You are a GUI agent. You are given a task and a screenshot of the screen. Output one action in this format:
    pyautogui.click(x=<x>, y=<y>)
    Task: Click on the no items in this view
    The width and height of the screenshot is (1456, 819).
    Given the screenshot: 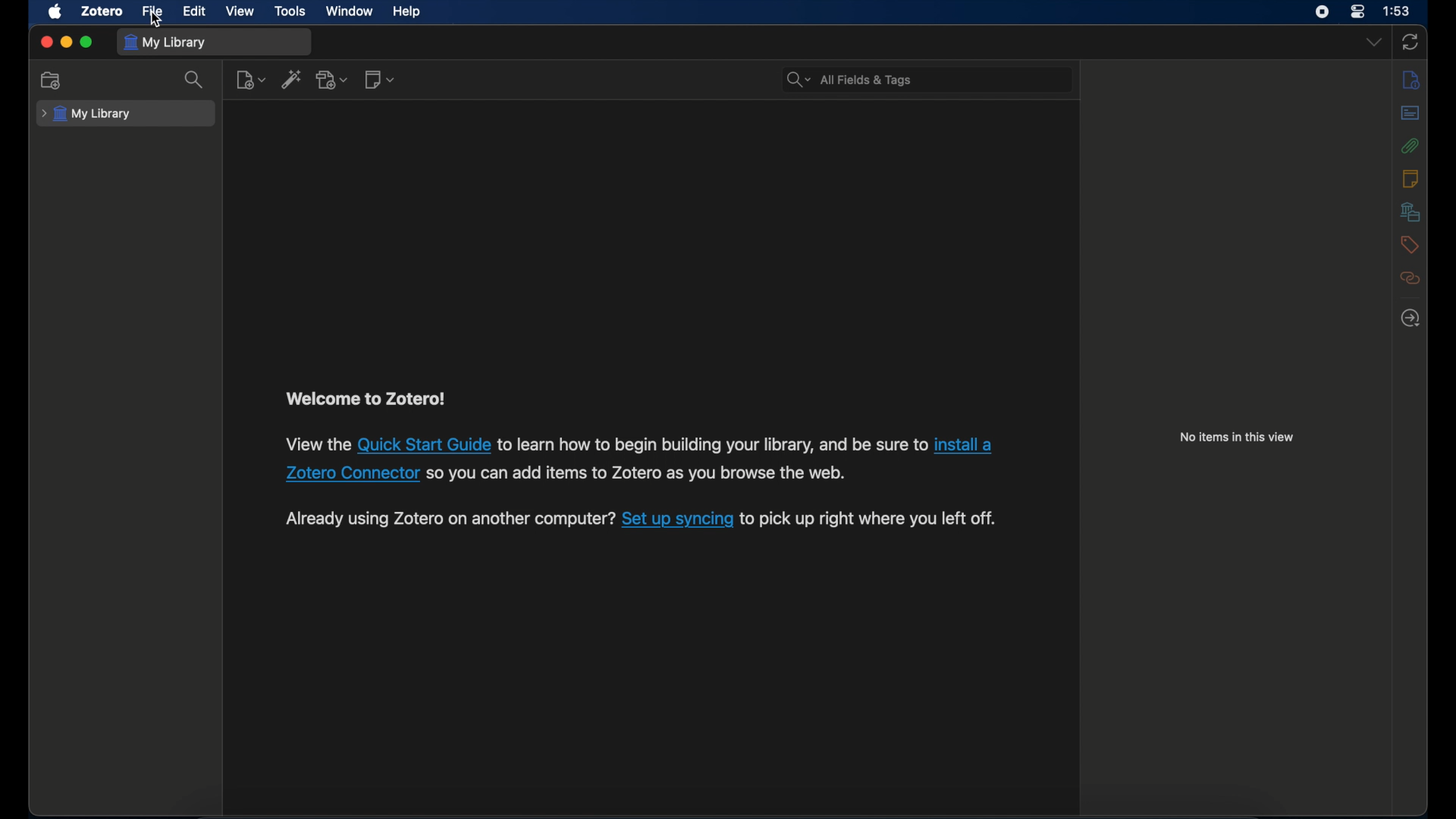 What is the action you would take?
    pyautogui.click(x=1238, y=437)
    